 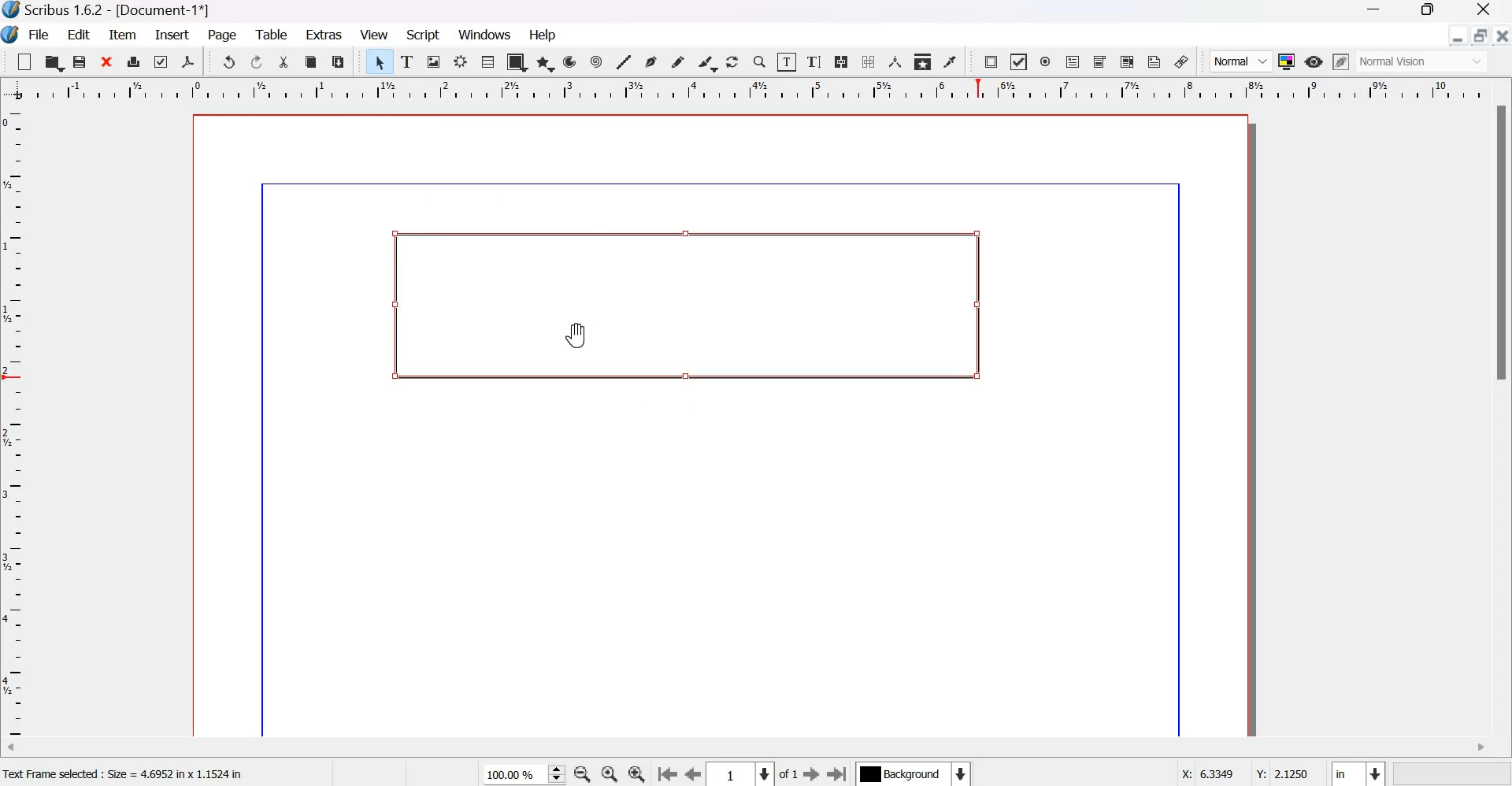 What do you see at coordinates (1314, 63) in the screenshot?
I see `Preview mode` at bounding box center [1314, 63].